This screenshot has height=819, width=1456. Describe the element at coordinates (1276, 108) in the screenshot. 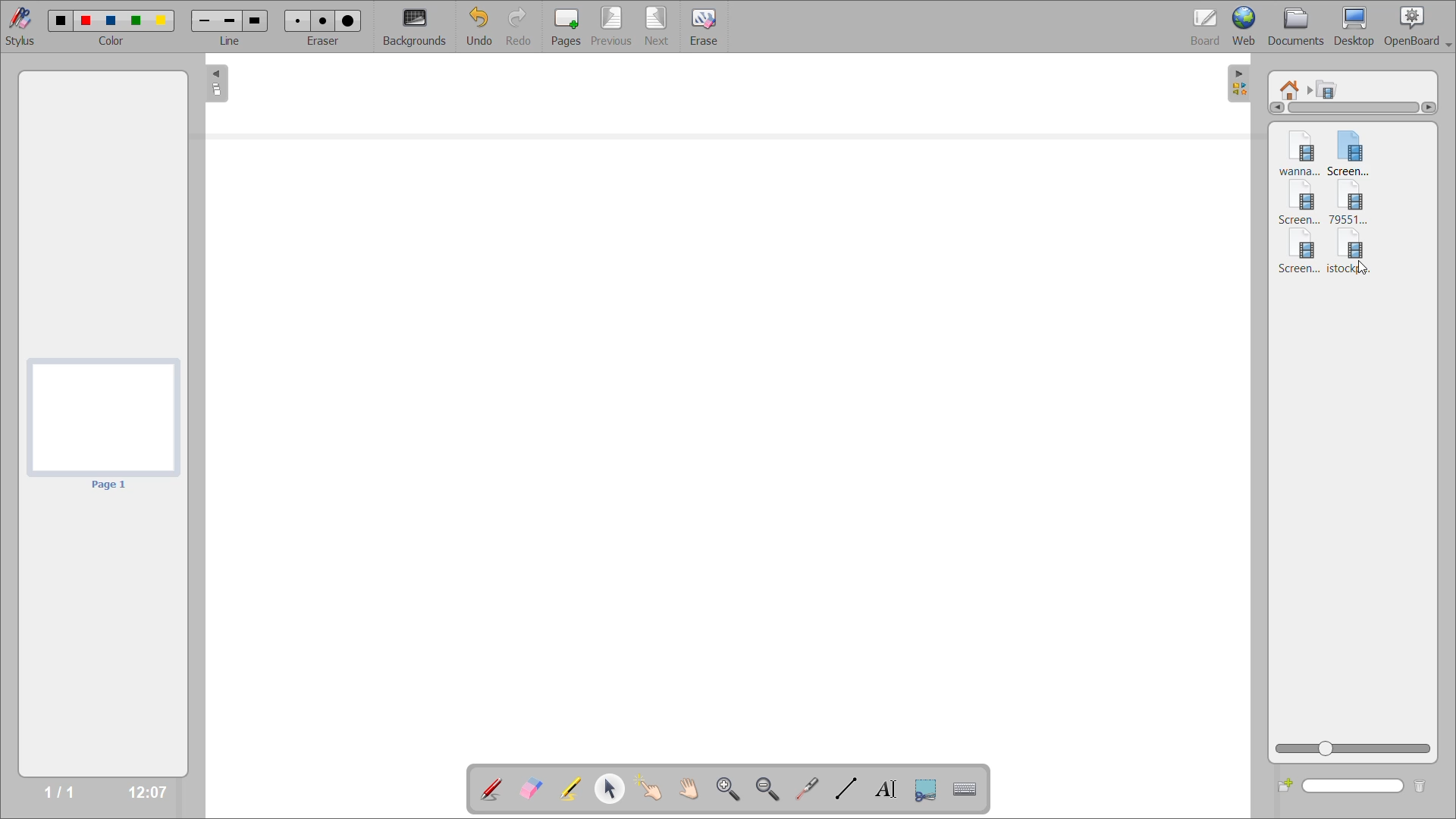

I see `Left arrow` at that location.